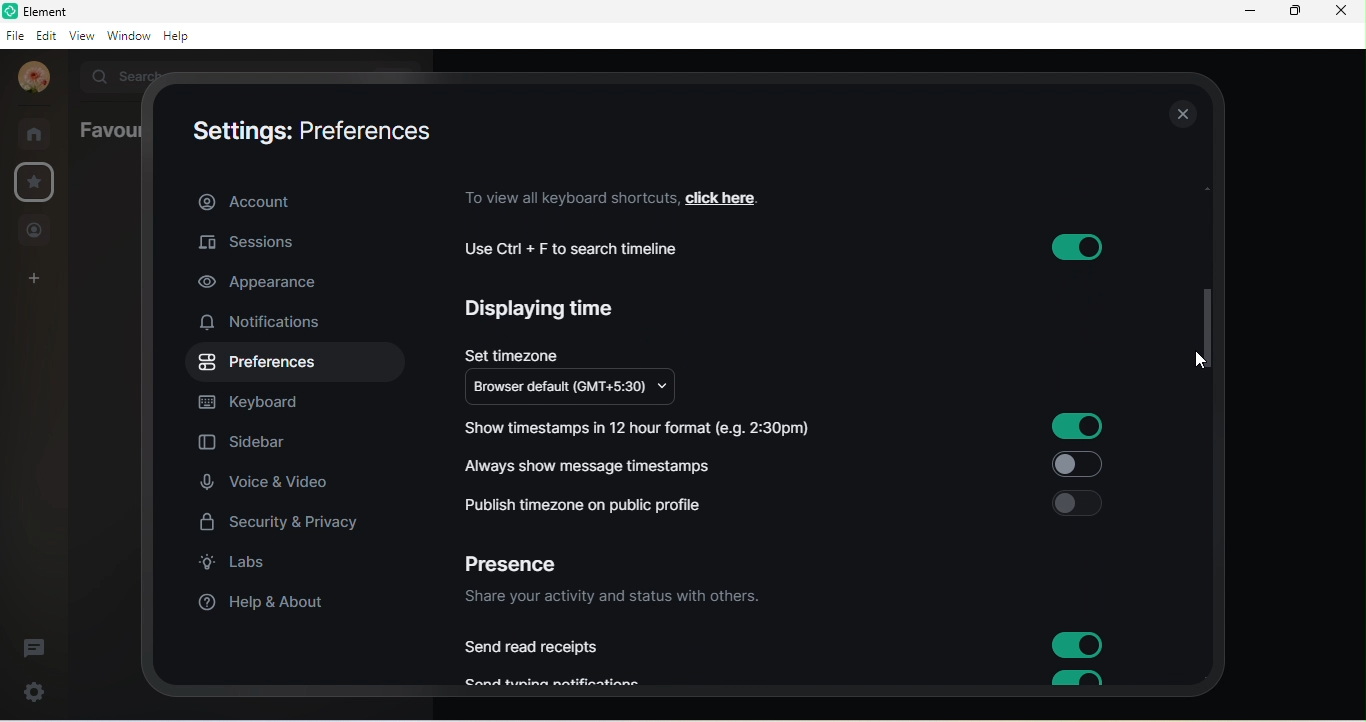 The height and width of the screenshot is (722, 1366). Describe the element at coordinates (80, 38) in the screenshot. I see `view` at that location.